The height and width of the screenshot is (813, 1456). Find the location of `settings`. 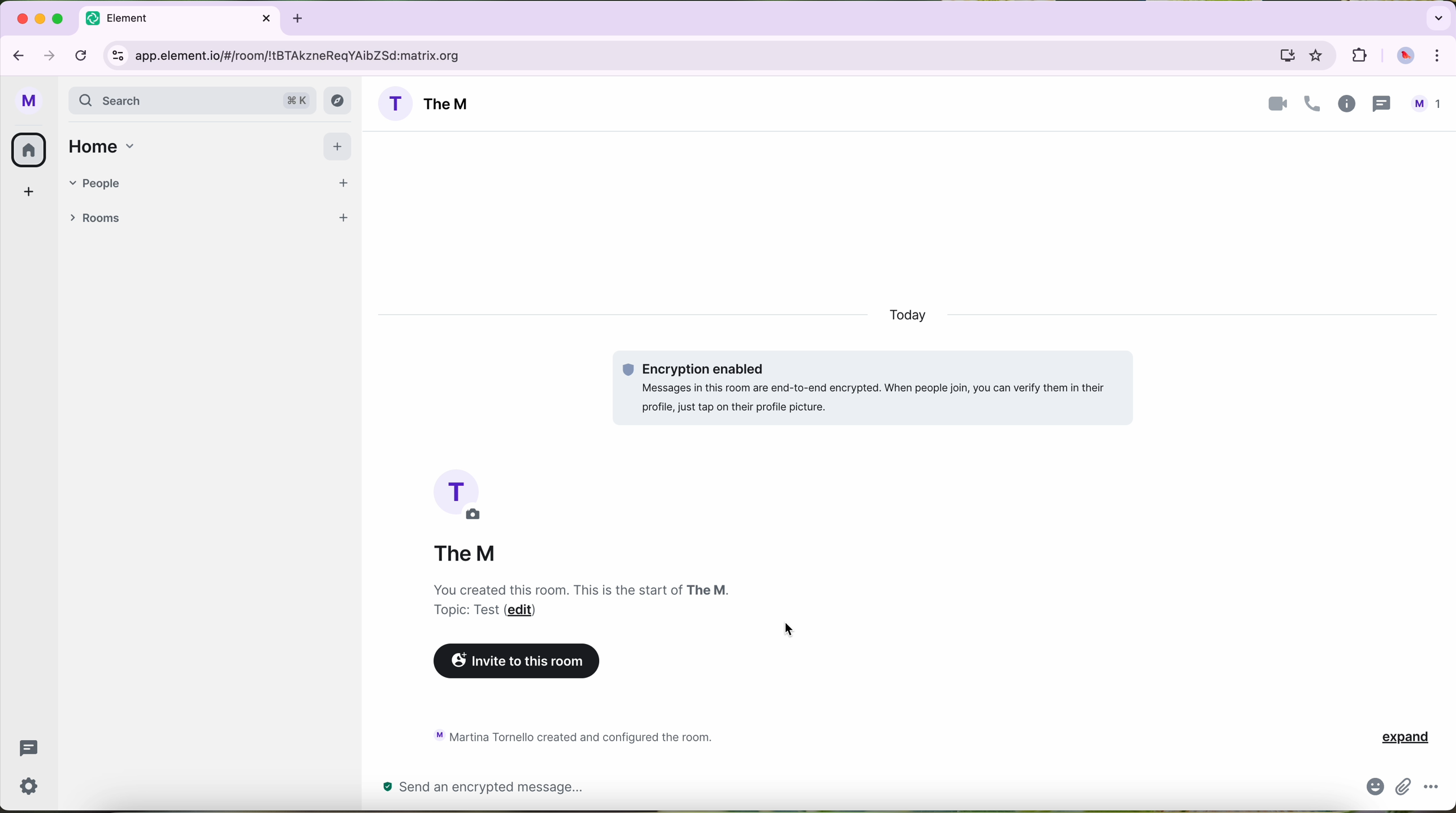

settings is located at coordinates (33, 786).